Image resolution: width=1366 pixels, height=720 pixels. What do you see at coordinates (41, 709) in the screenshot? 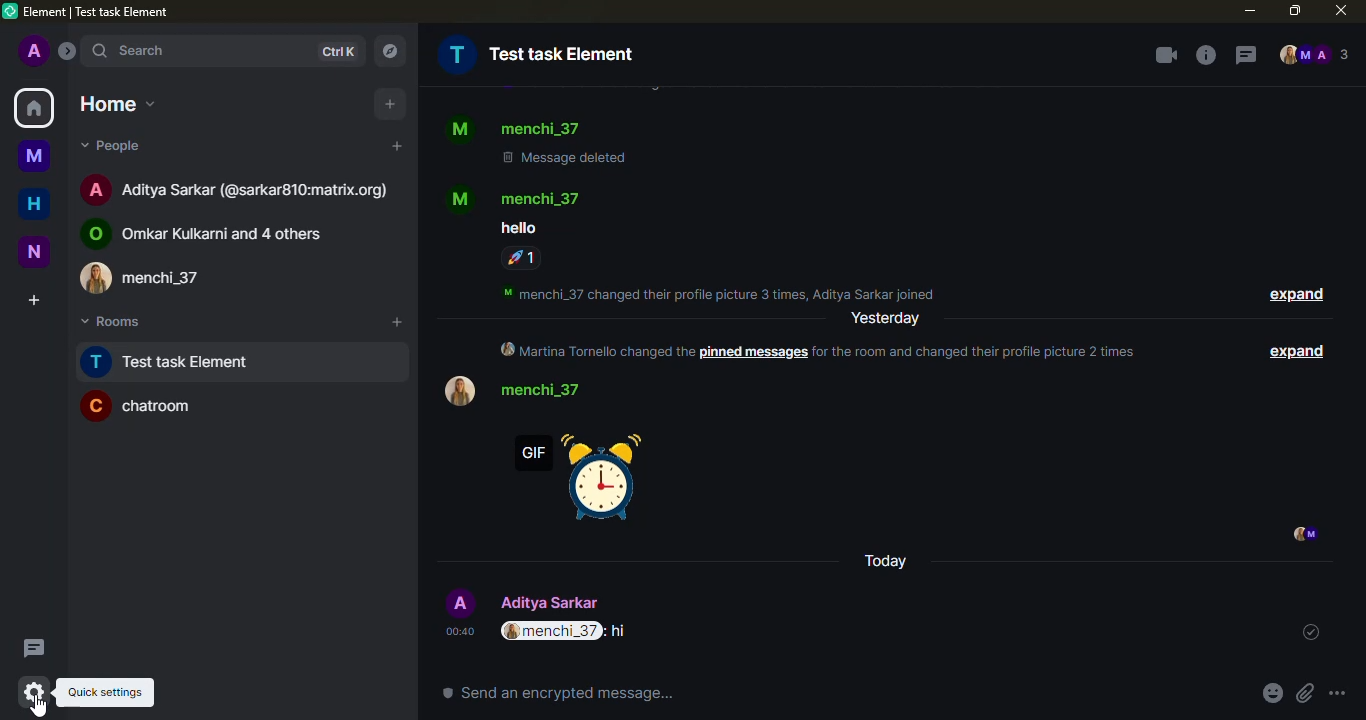
I see `cursor` at bounding box center [41, 709].